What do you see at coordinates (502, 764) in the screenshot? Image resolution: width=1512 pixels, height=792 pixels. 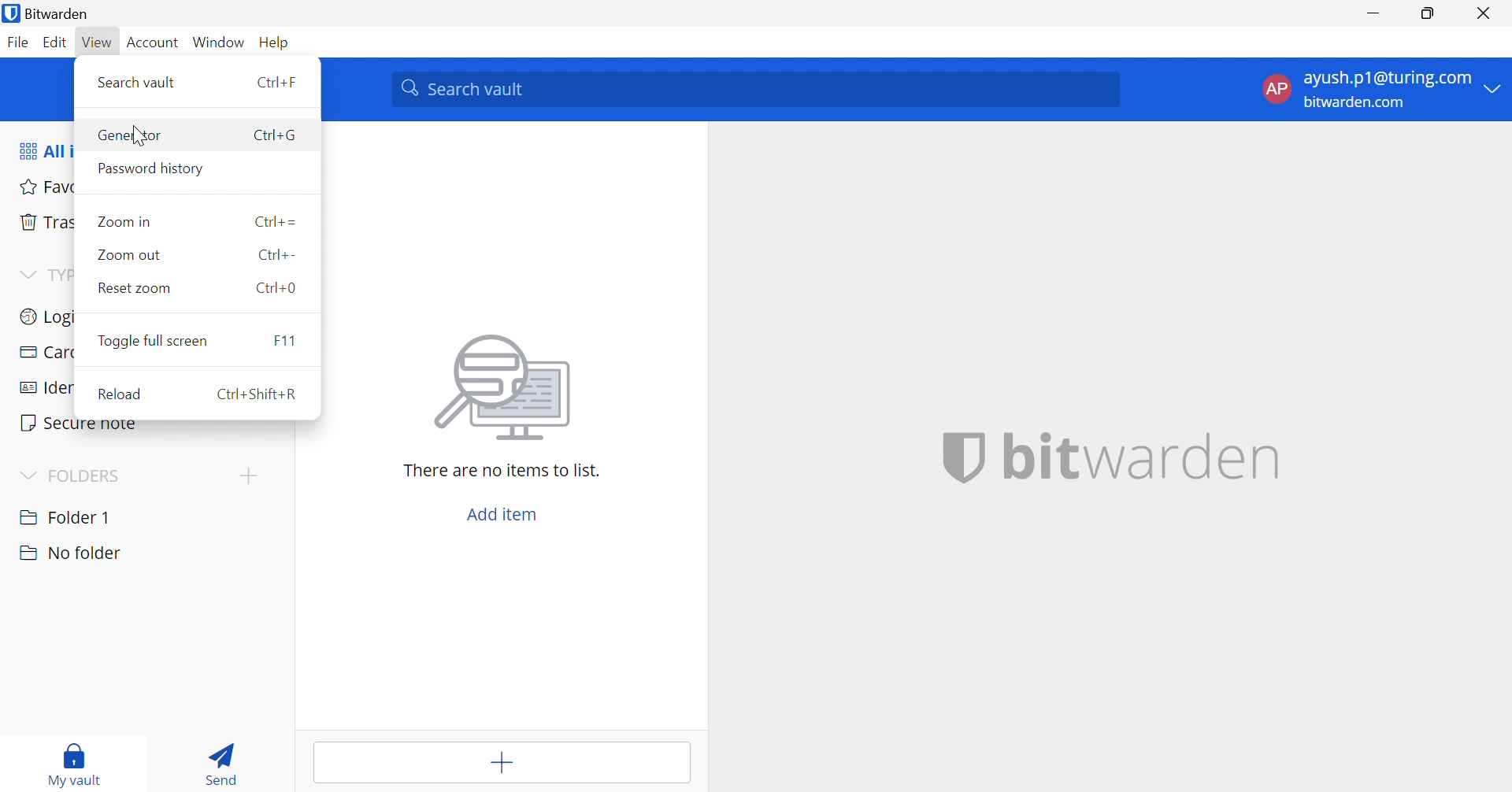 I see `Add item` at bounding box center [502, 764].